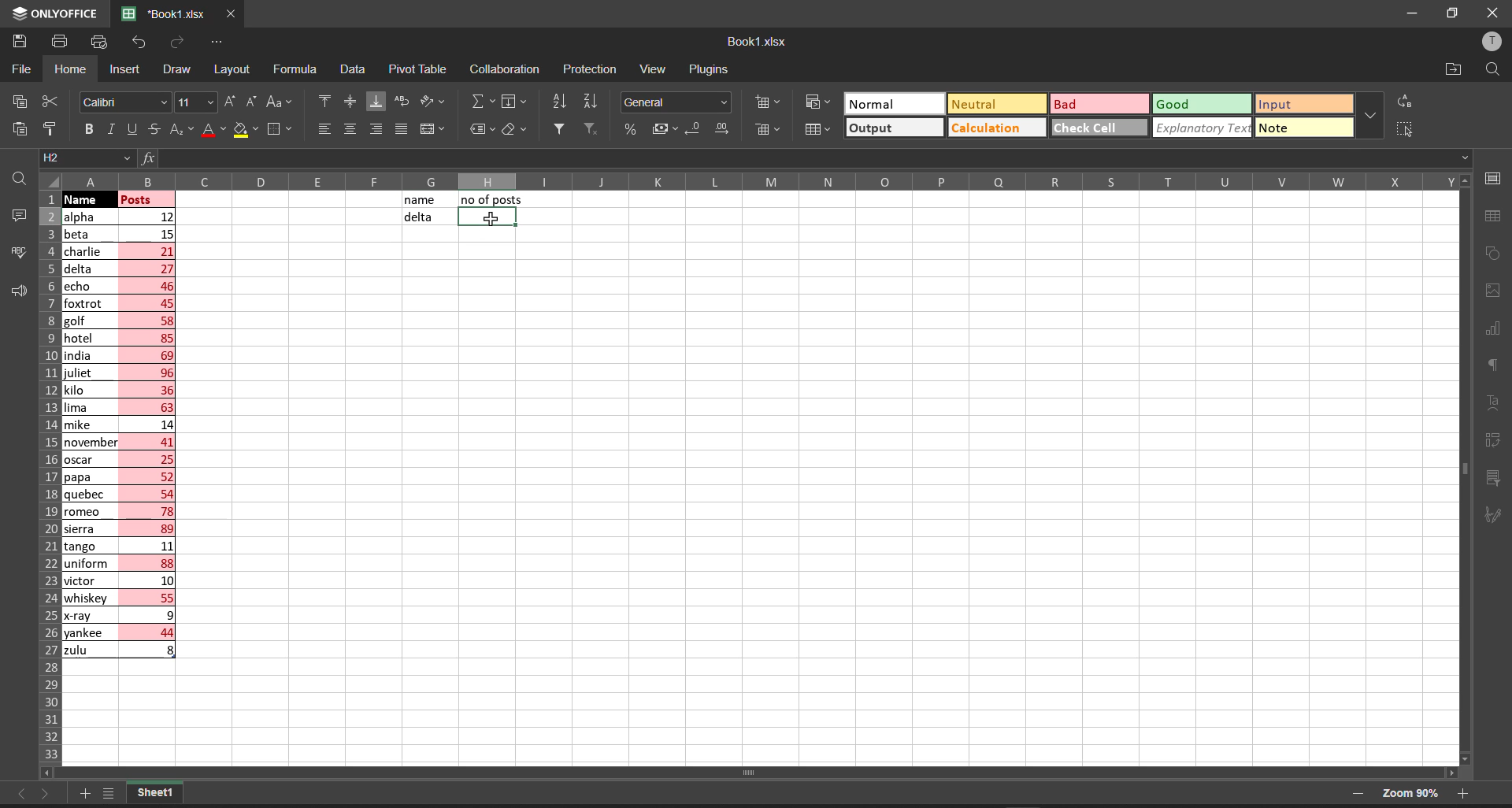  I want to click on fill color, so click(247, 131).